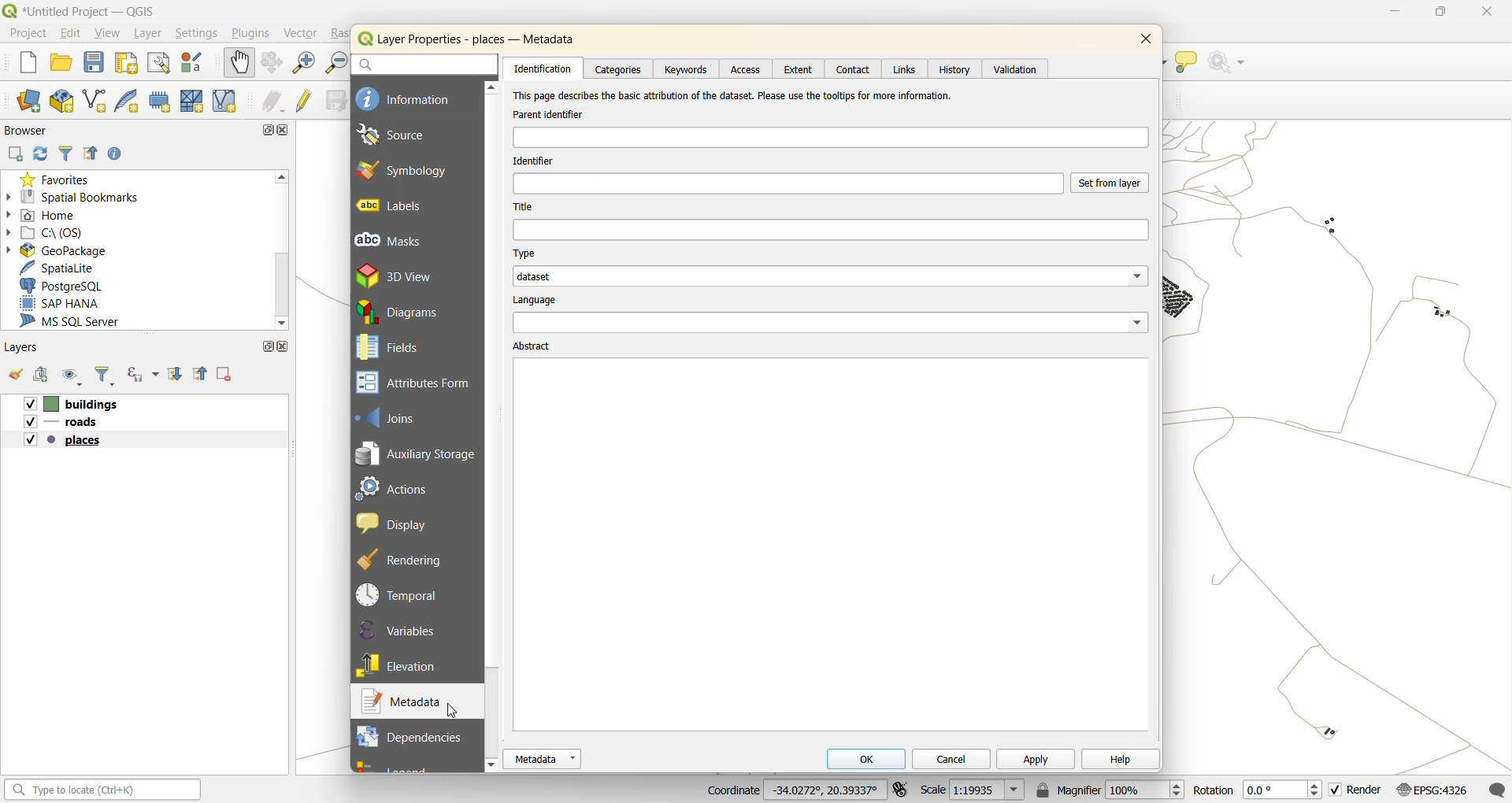  Describe the element at coordinates (792, 790) in the screenshot. I see `coordinates` at that location.